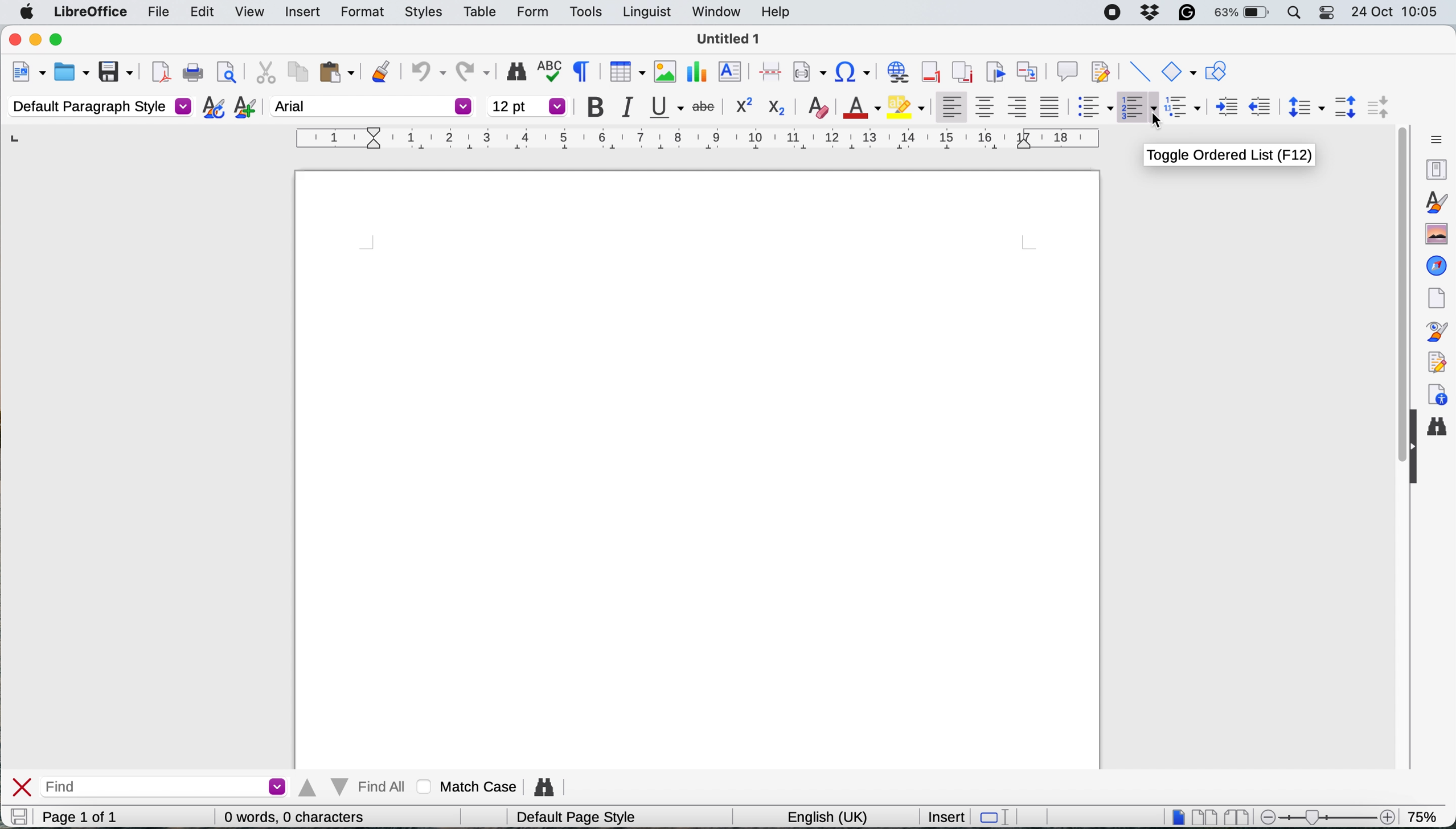  What do you see at coordinates (645, 13) in the screenshot?
I see `linguist` at bounding box center [645, 13].